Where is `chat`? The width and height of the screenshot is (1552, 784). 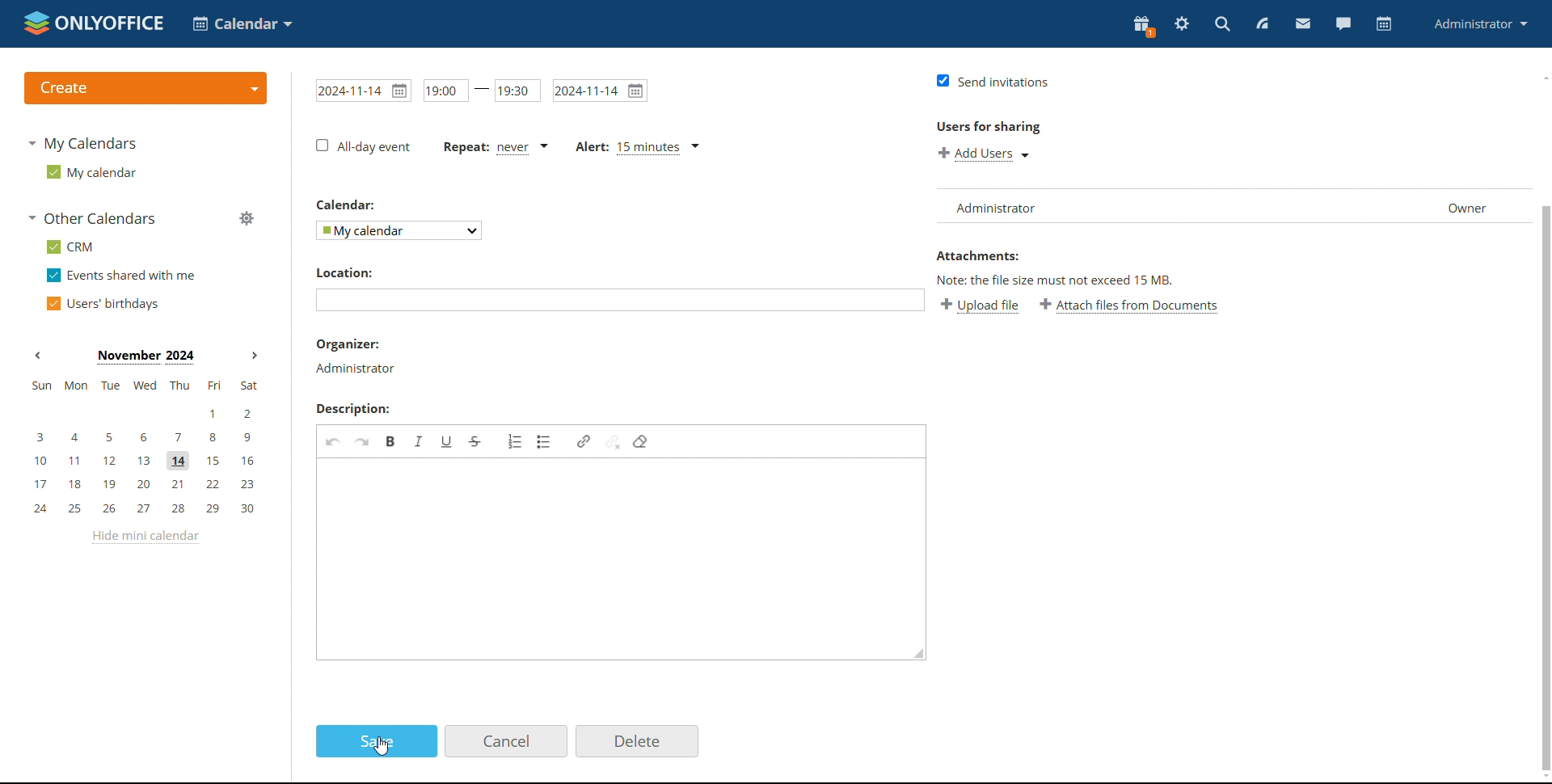
chat is located at coordinates (1341, 23).